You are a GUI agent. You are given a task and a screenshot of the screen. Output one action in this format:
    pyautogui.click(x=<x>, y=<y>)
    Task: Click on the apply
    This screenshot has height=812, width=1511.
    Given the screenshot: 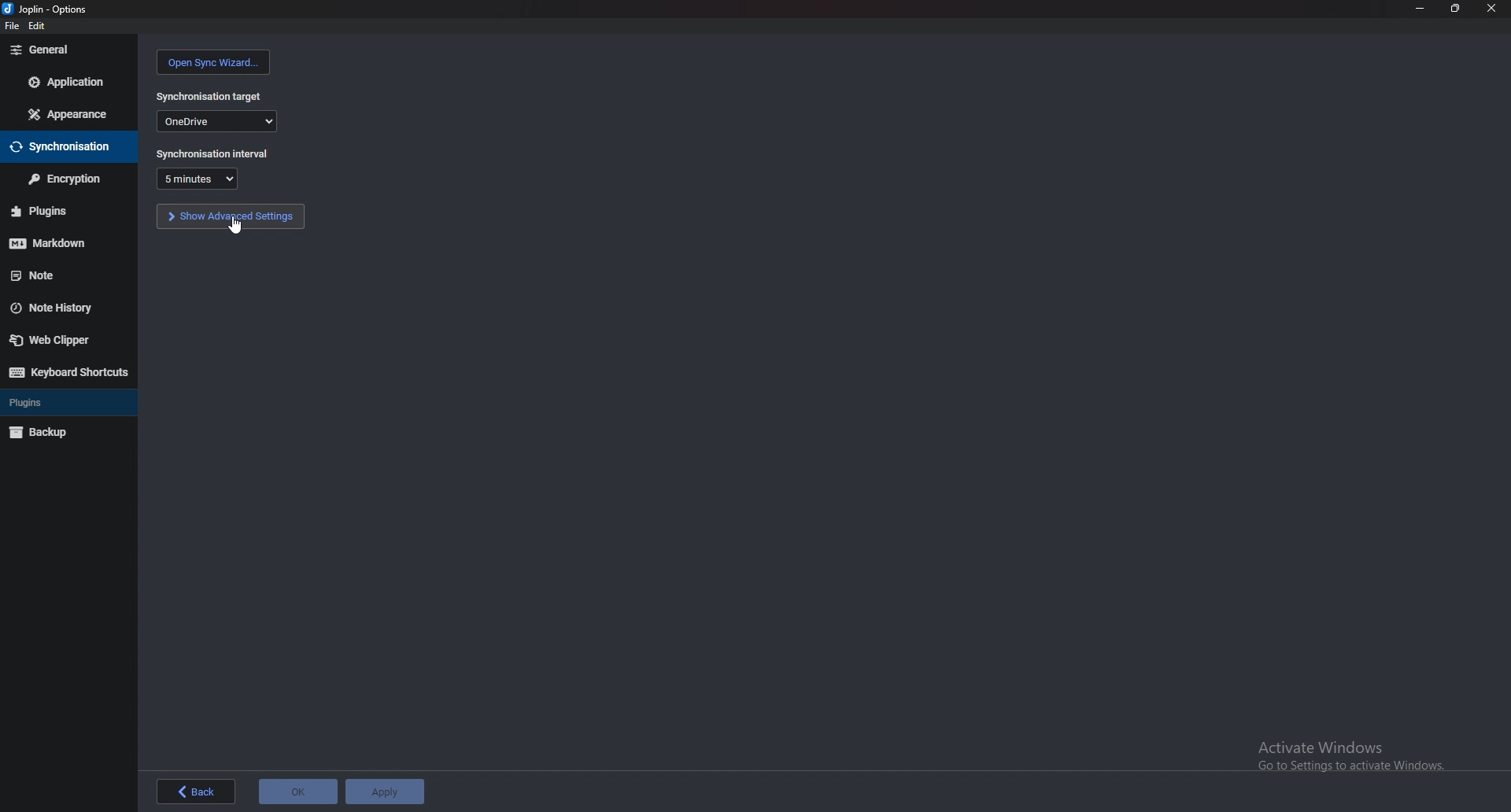 What is the action you would take?
    pyautogui.click(x=384, y=792)
    